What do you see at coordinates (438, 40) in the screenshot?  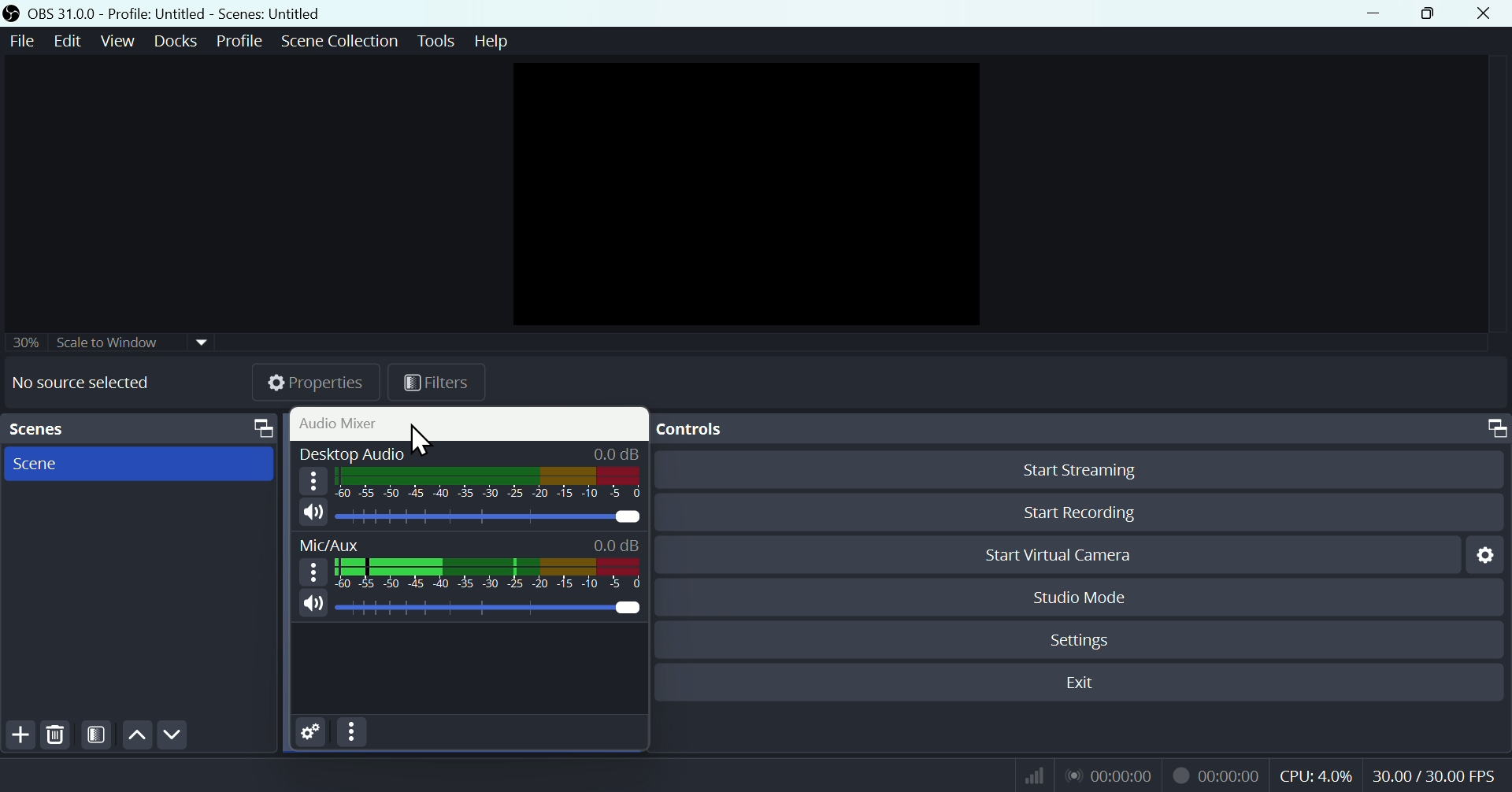 I see `Tools` at bounding box center [438, 40].